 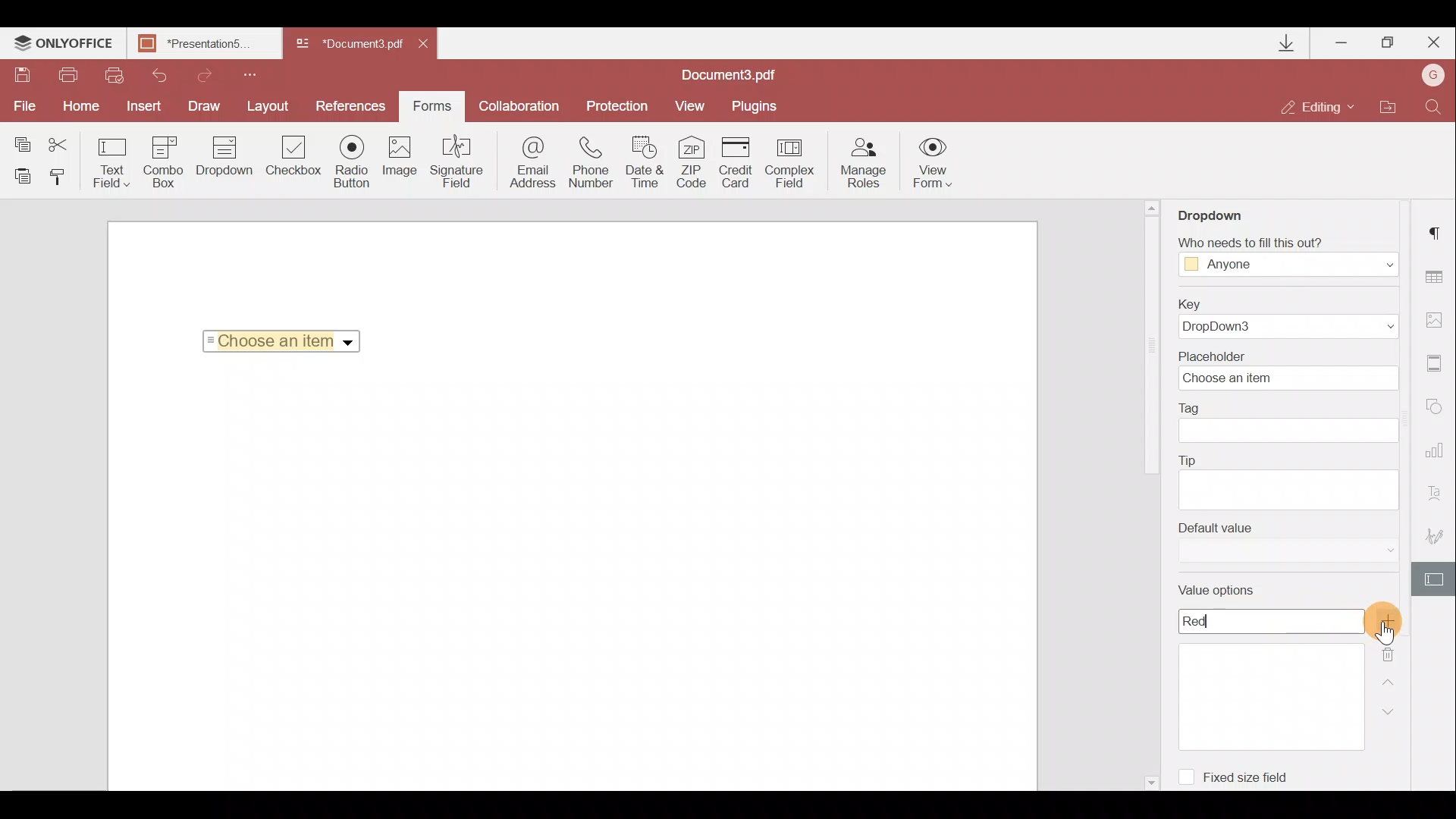 I want to click on Print file, so click(x=73, y=75).